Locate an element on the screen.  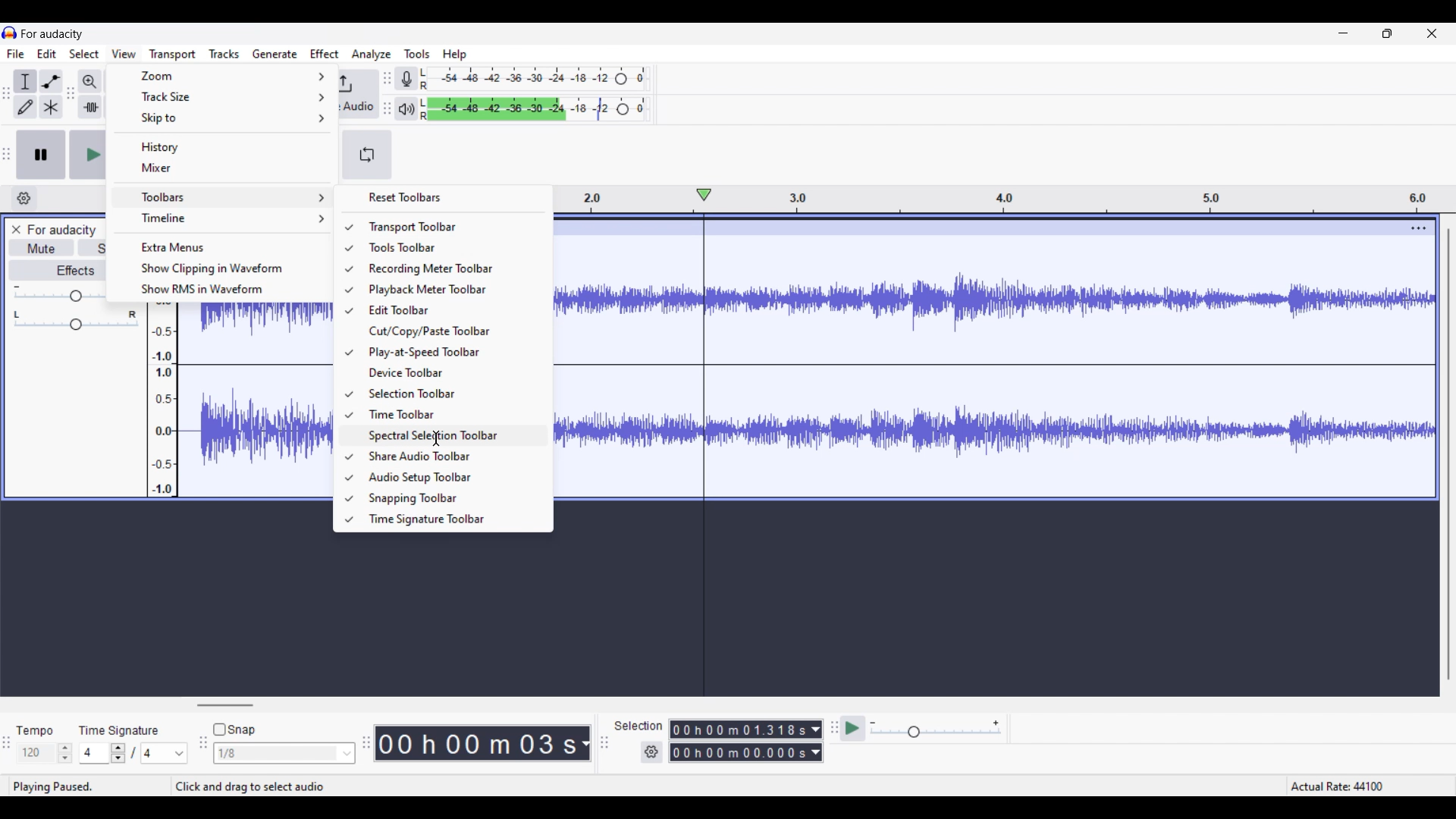
Recording meter toolbar  is located at coordinates (451, 269).